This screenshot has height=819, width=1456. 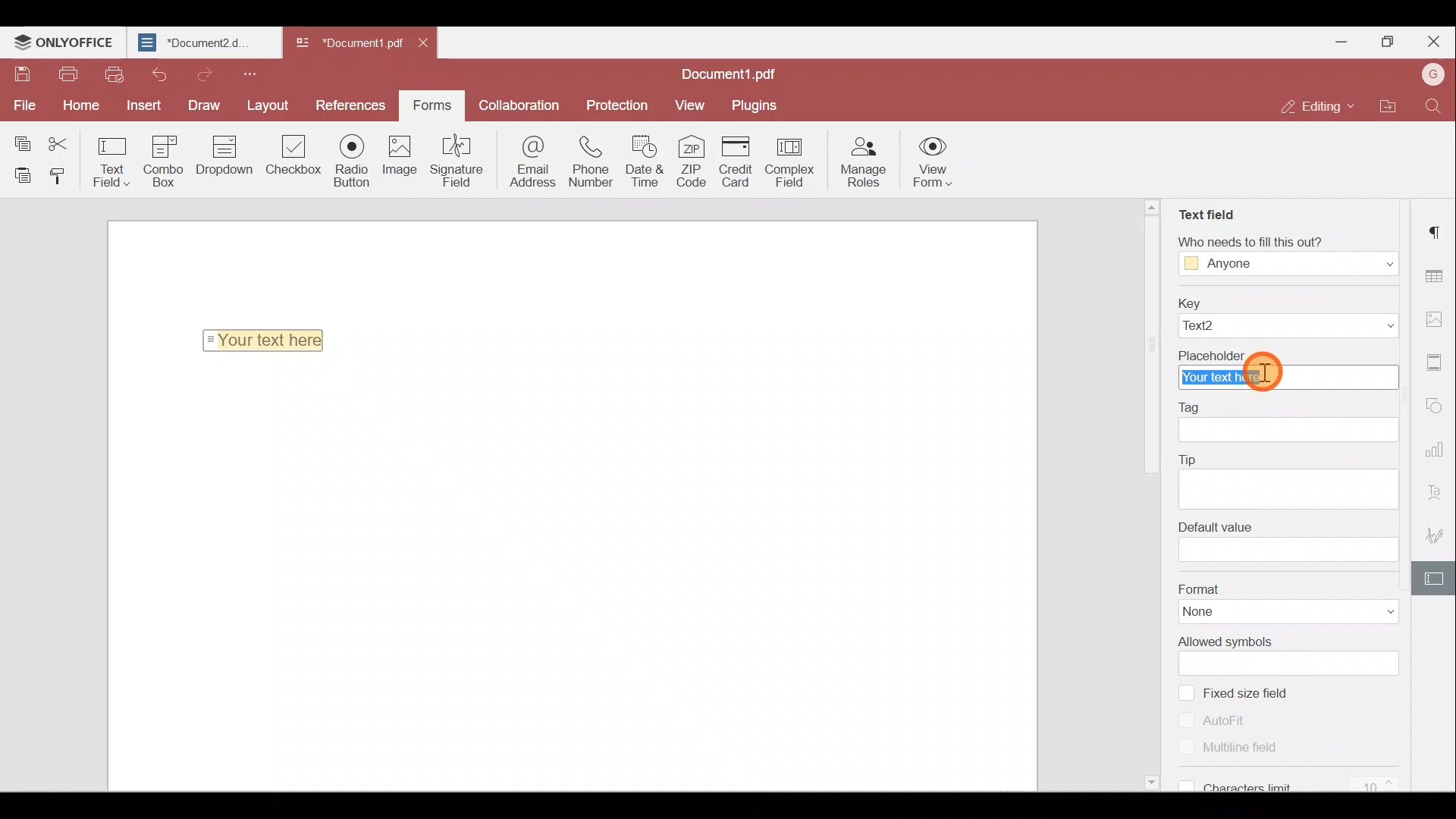 What do you see at coordinates (1437, 362) in the screenshot?
I see `Header & footer settings` at bounding box center [1437, 362].